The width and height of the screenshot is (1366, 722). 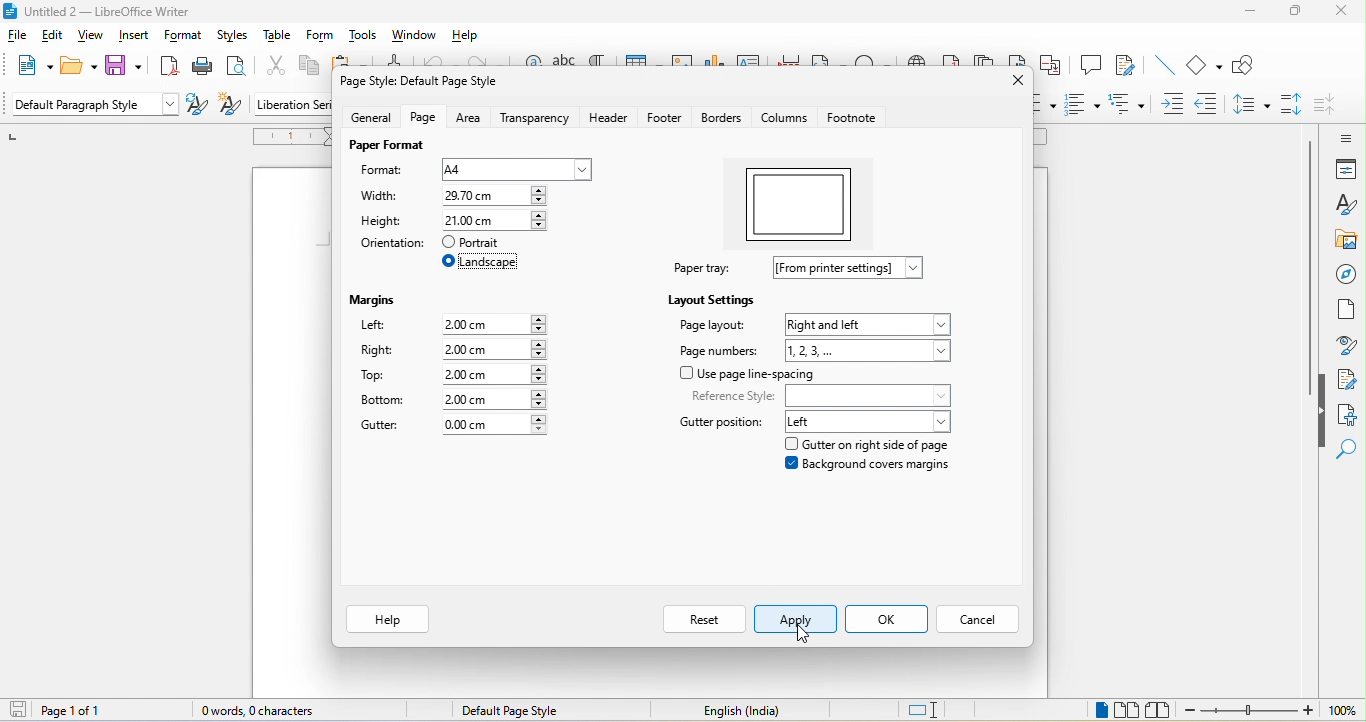 I want to click on file, so click(x=18, y=37).